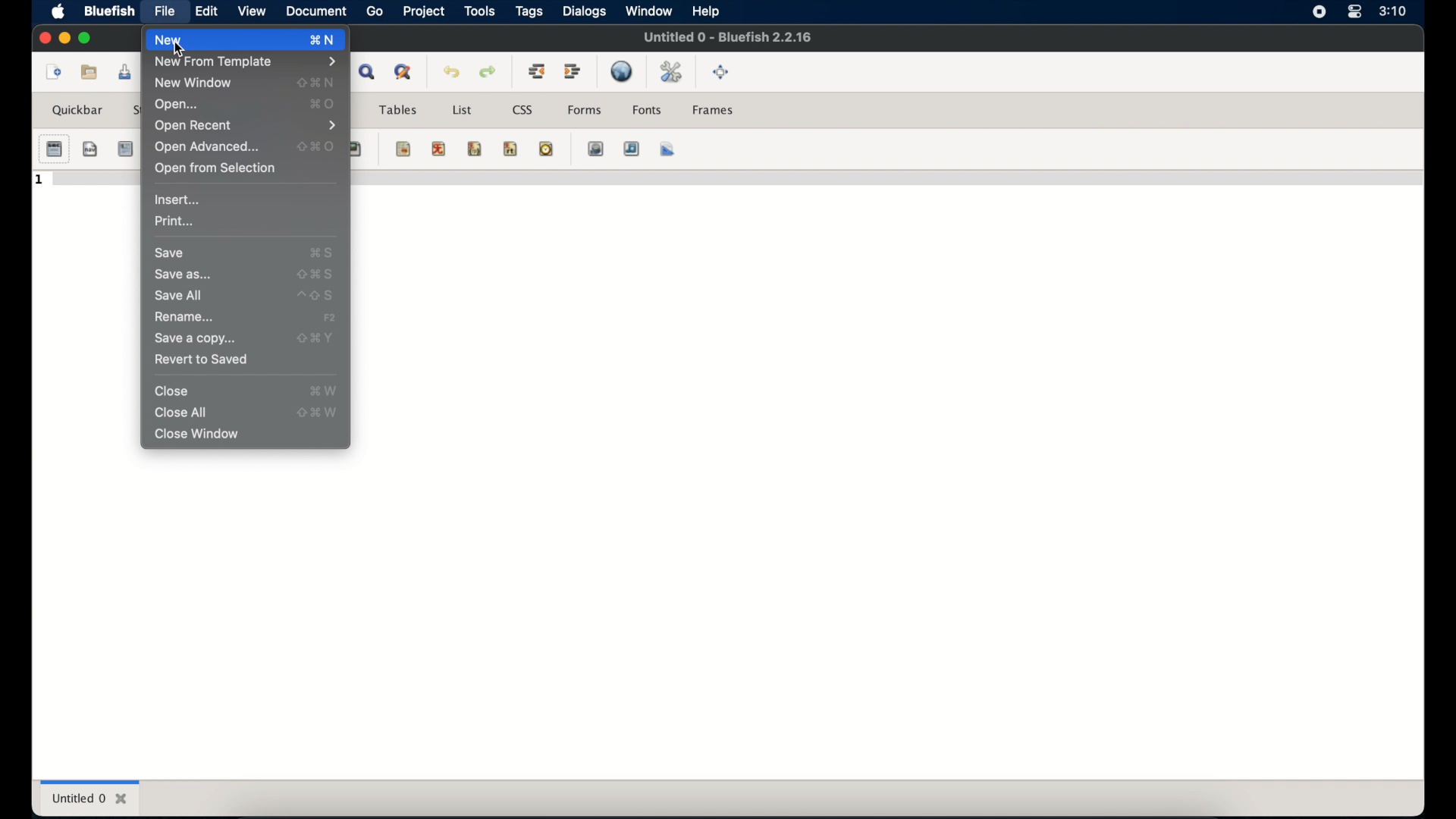 This screenshot has height=819, width=1456. Describe the element at coordinates (54, 149) in the screenshot. I see `section` at that location.